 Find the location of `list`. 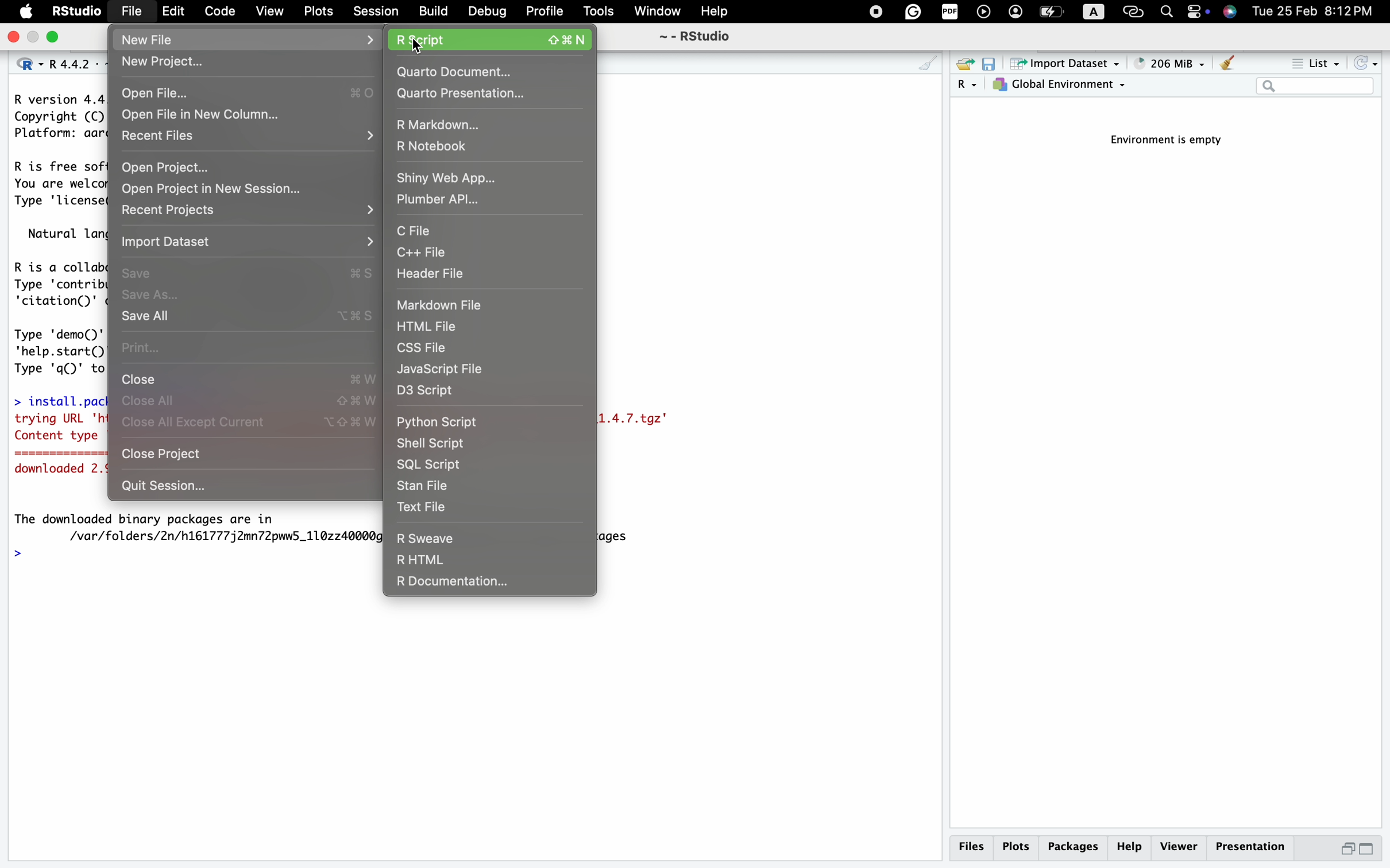

list is located at coordinates (1314, 65).